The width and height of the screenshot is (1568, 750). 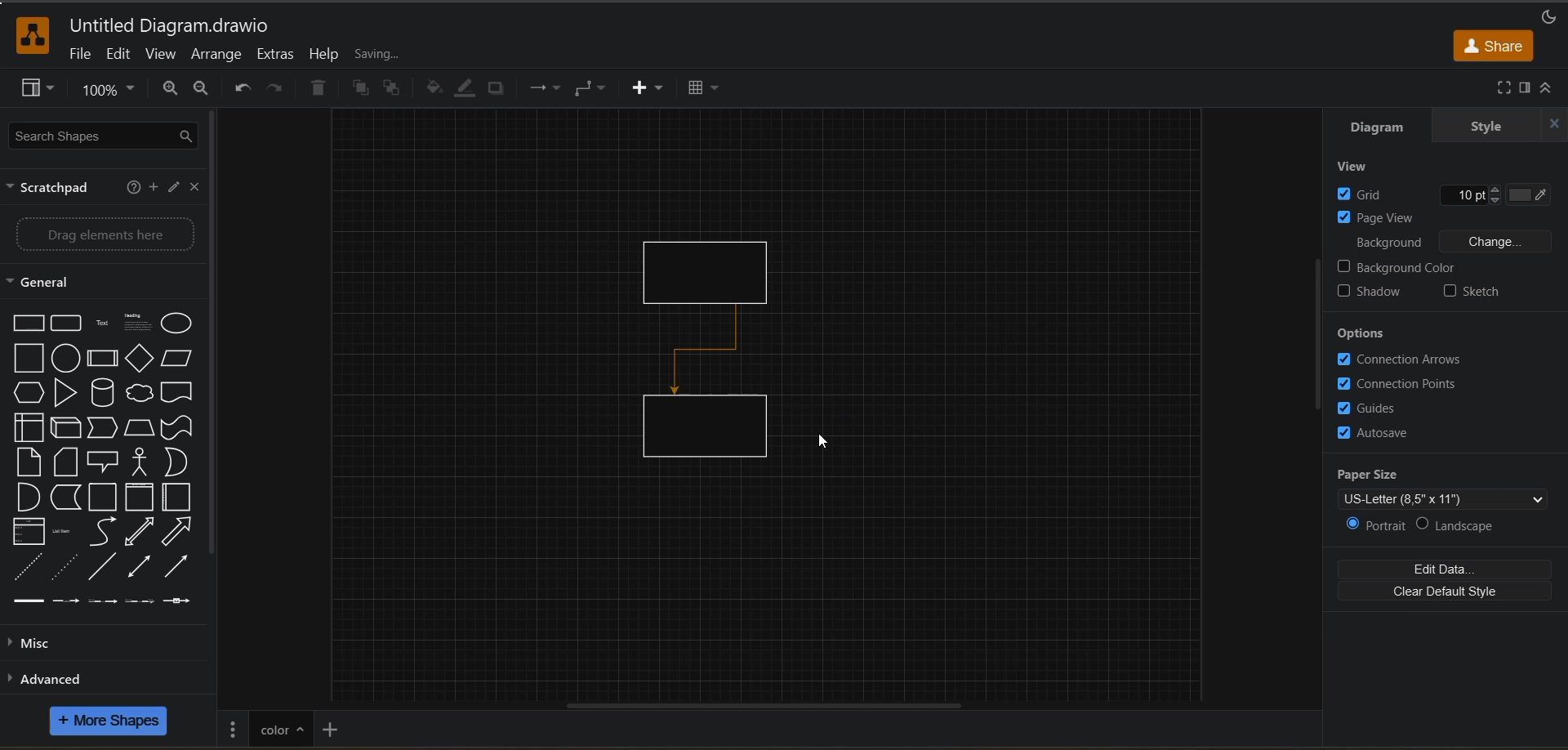 I want to click on horizontal scroll bar, so click(x=759, y=703).